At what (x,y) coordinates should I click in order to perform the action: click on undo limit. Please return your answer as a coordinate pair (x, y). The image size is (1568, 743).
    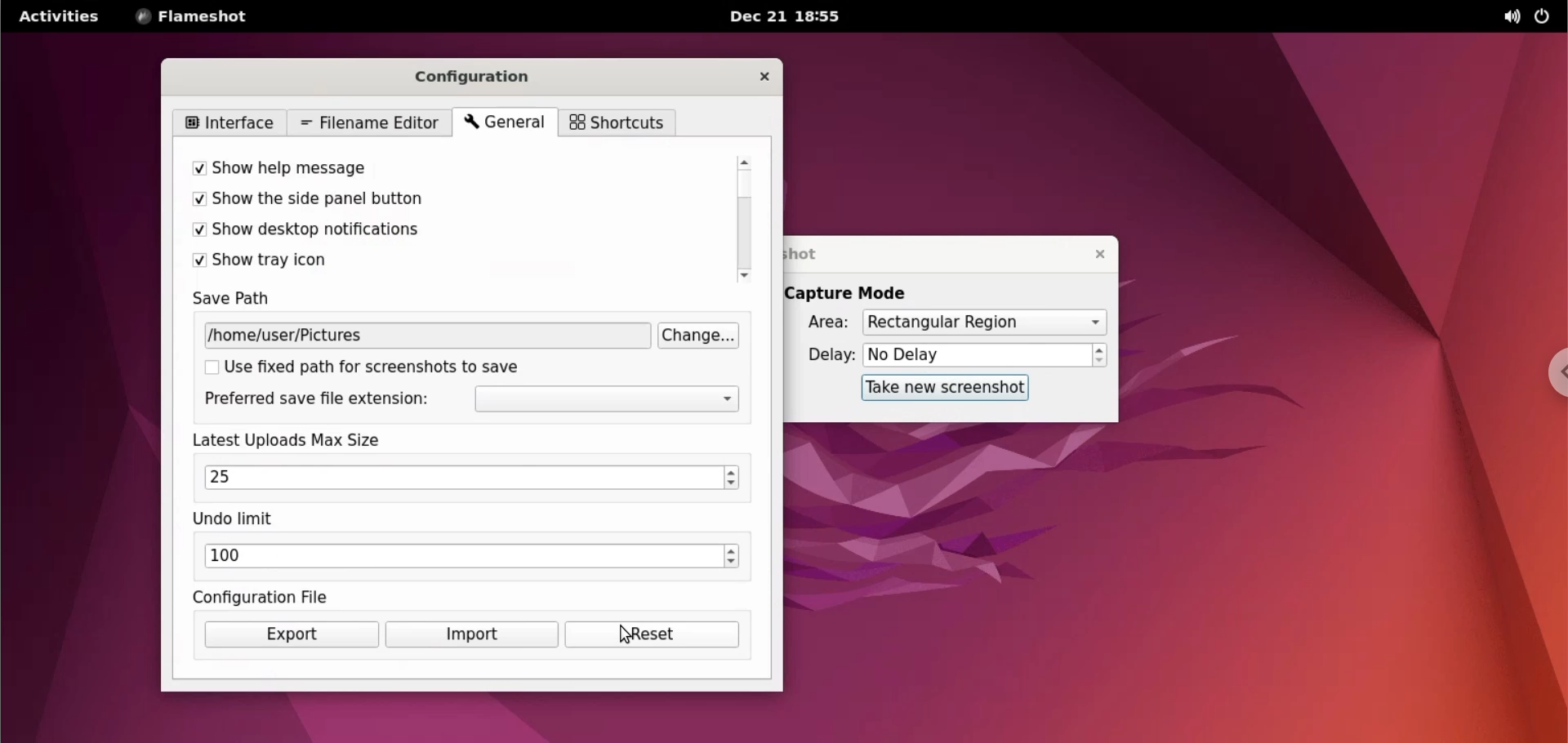
    Looking at the image, I should click on (239, 519).